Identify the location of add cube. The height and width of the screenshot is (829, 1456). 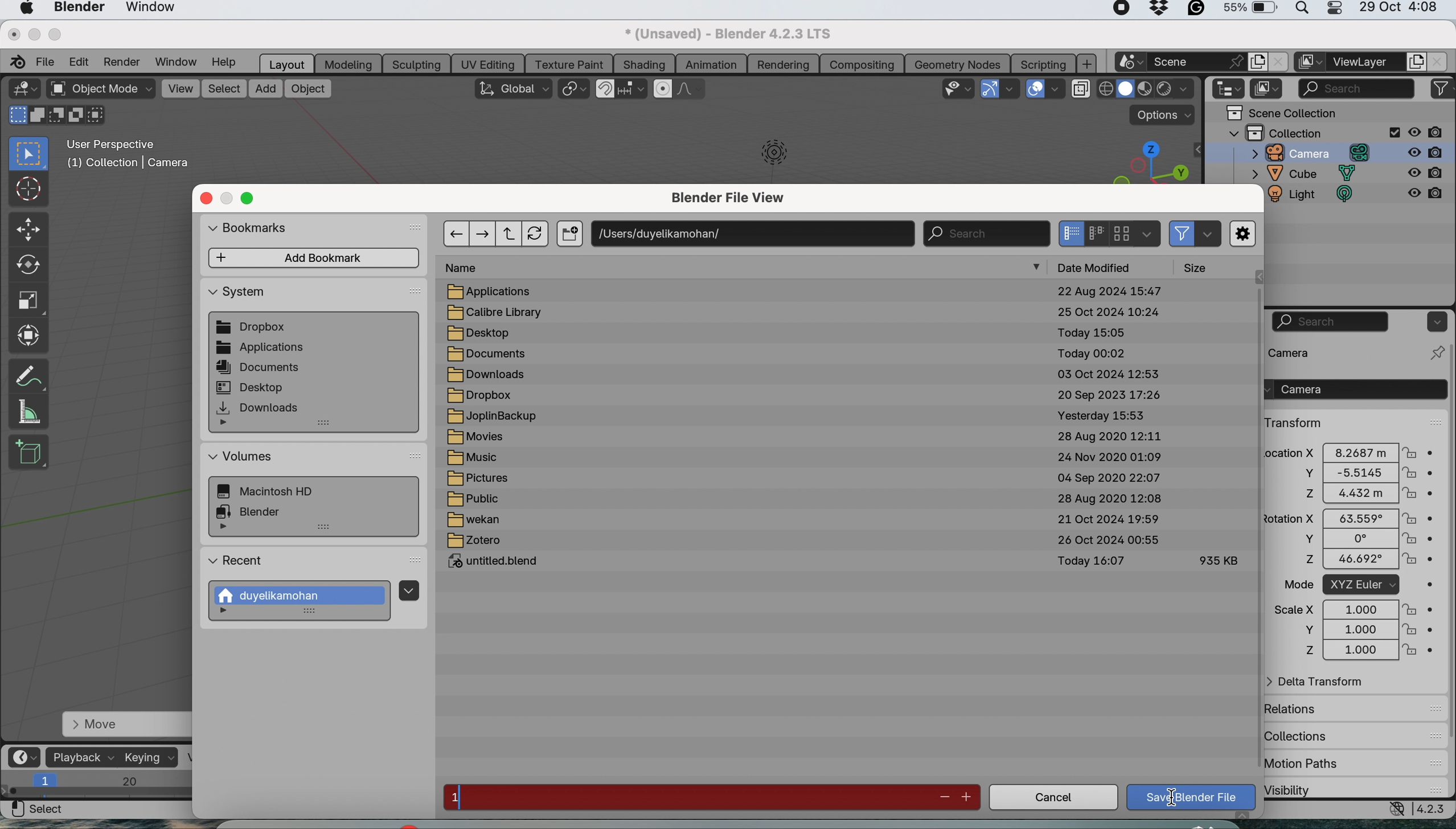
(30, 450).